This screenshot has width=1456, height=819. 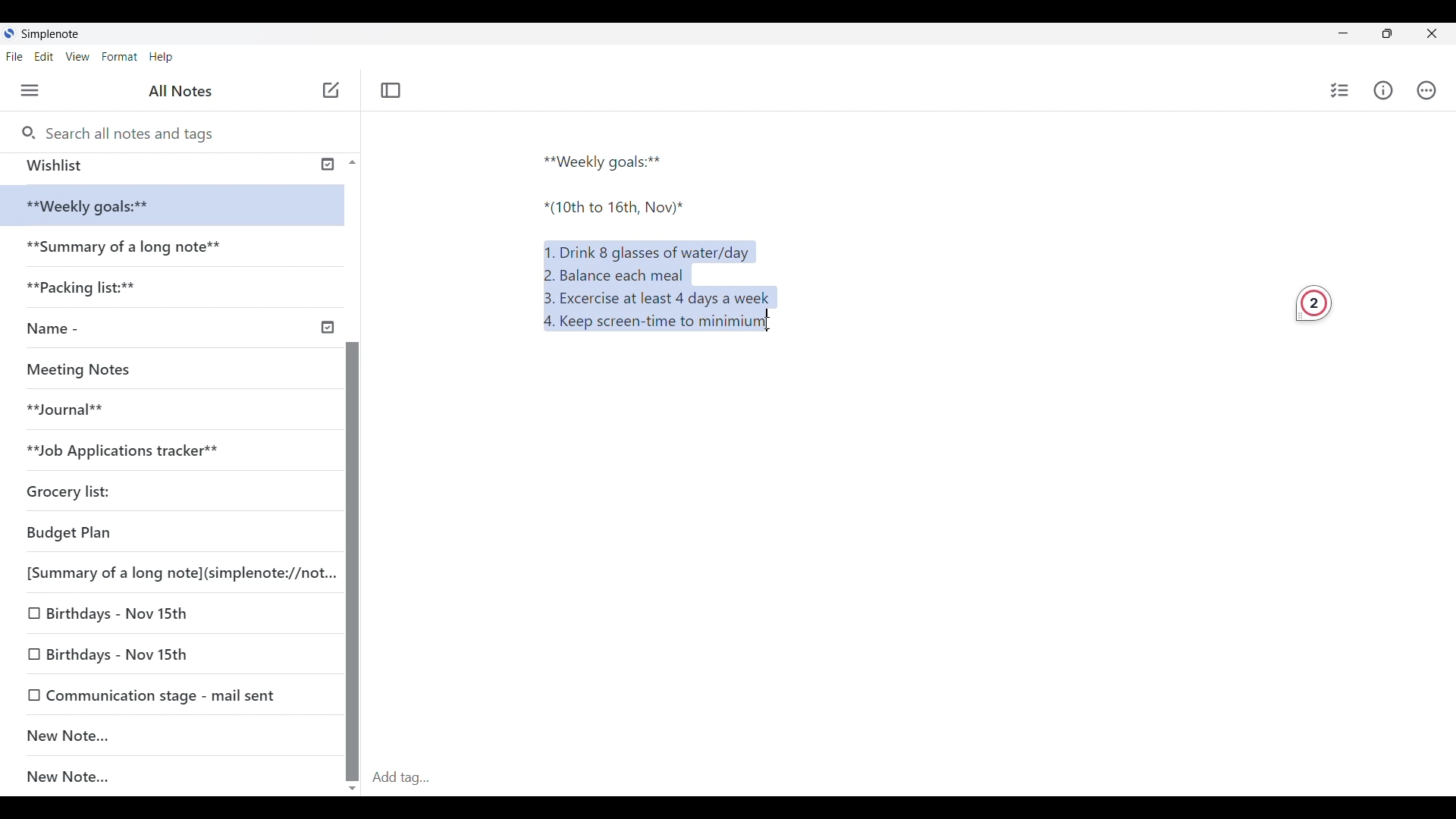 What do you see at coordinates (130, 131) in the screenshot?
I see `Search all notes and tags` at bounding box center [130, 131].